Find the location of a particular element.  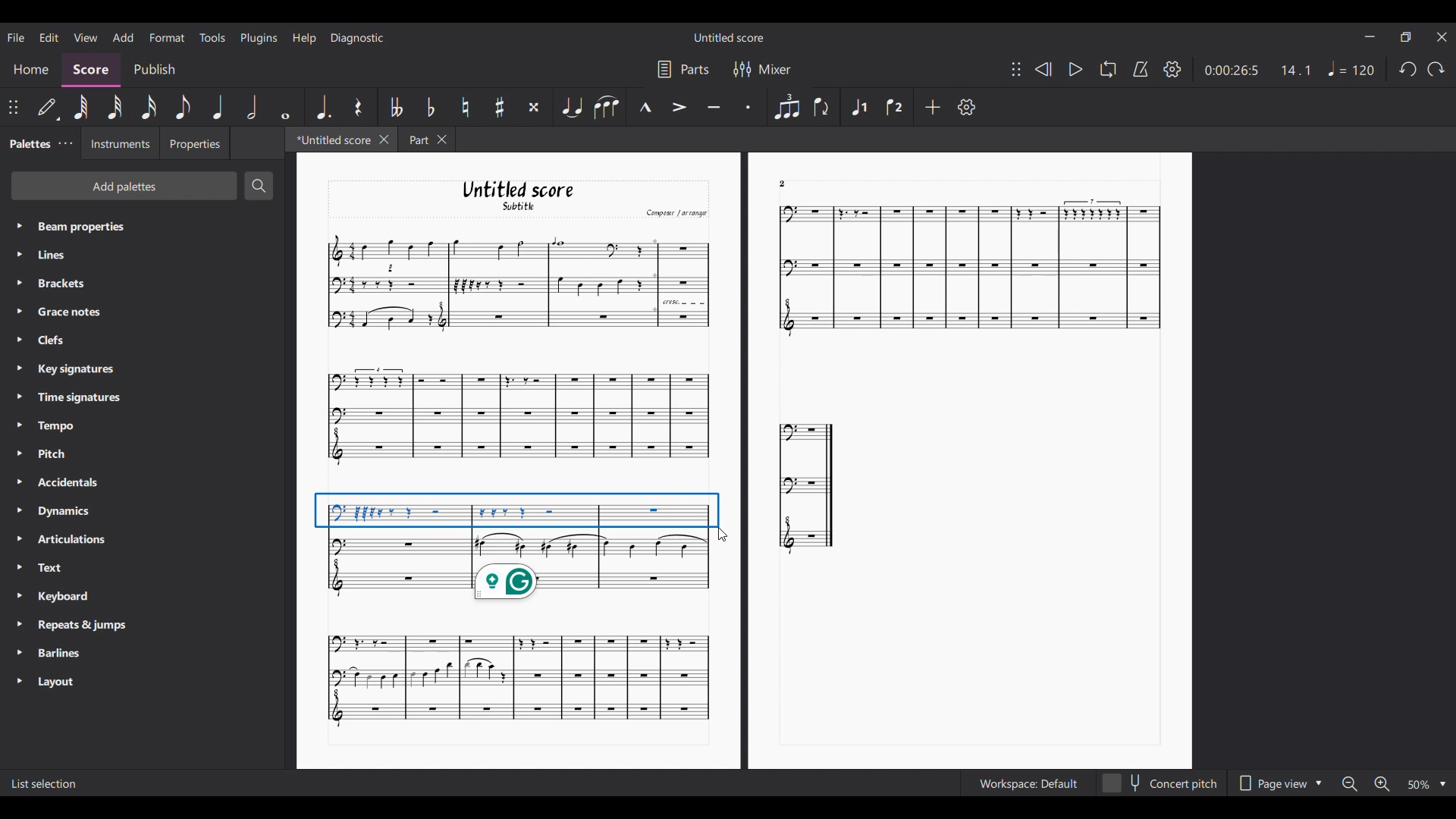

Staccato  is located at coordinates (750, 105).